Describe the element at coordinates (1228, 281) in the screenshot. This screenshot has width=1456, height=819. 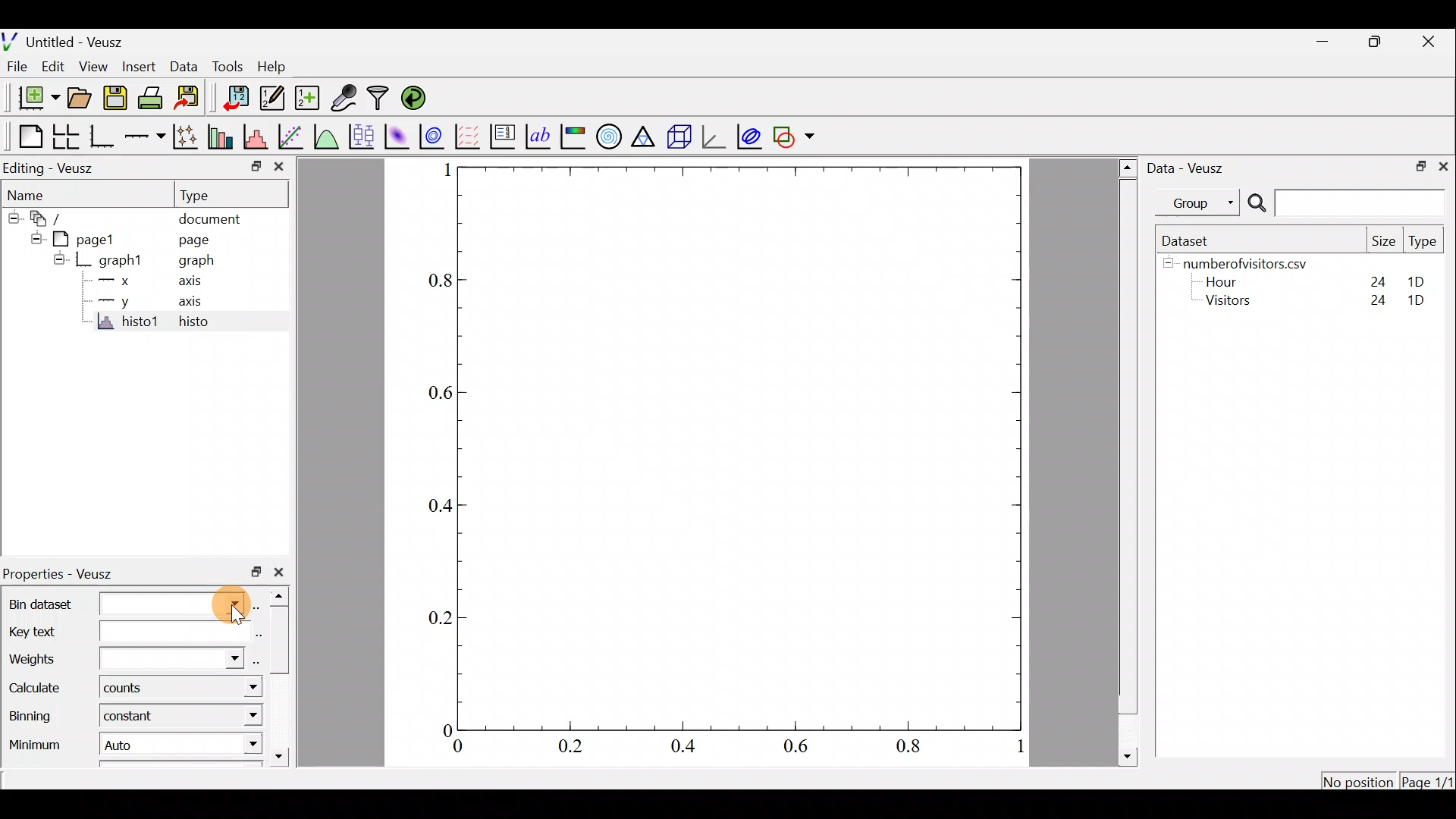
I see `Hour` at that location.